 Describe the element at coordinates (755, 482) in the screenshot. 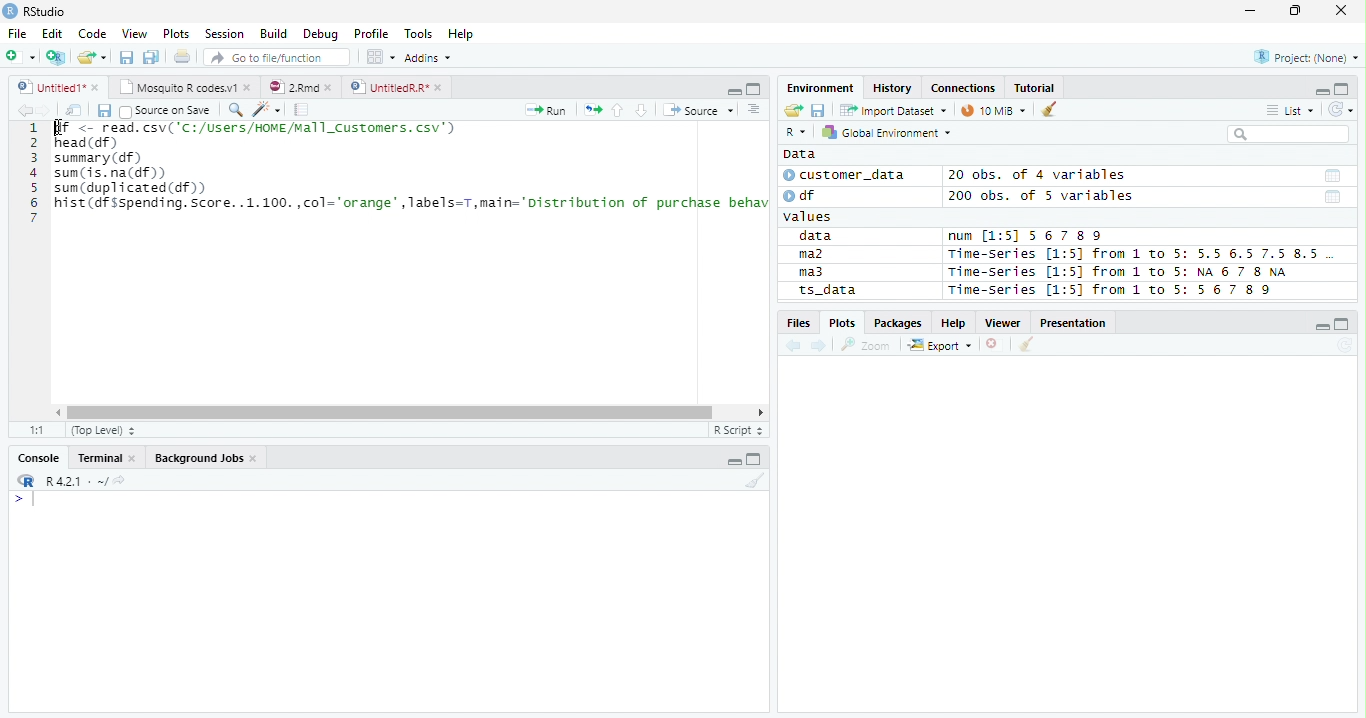

I see `Clean` at that location.